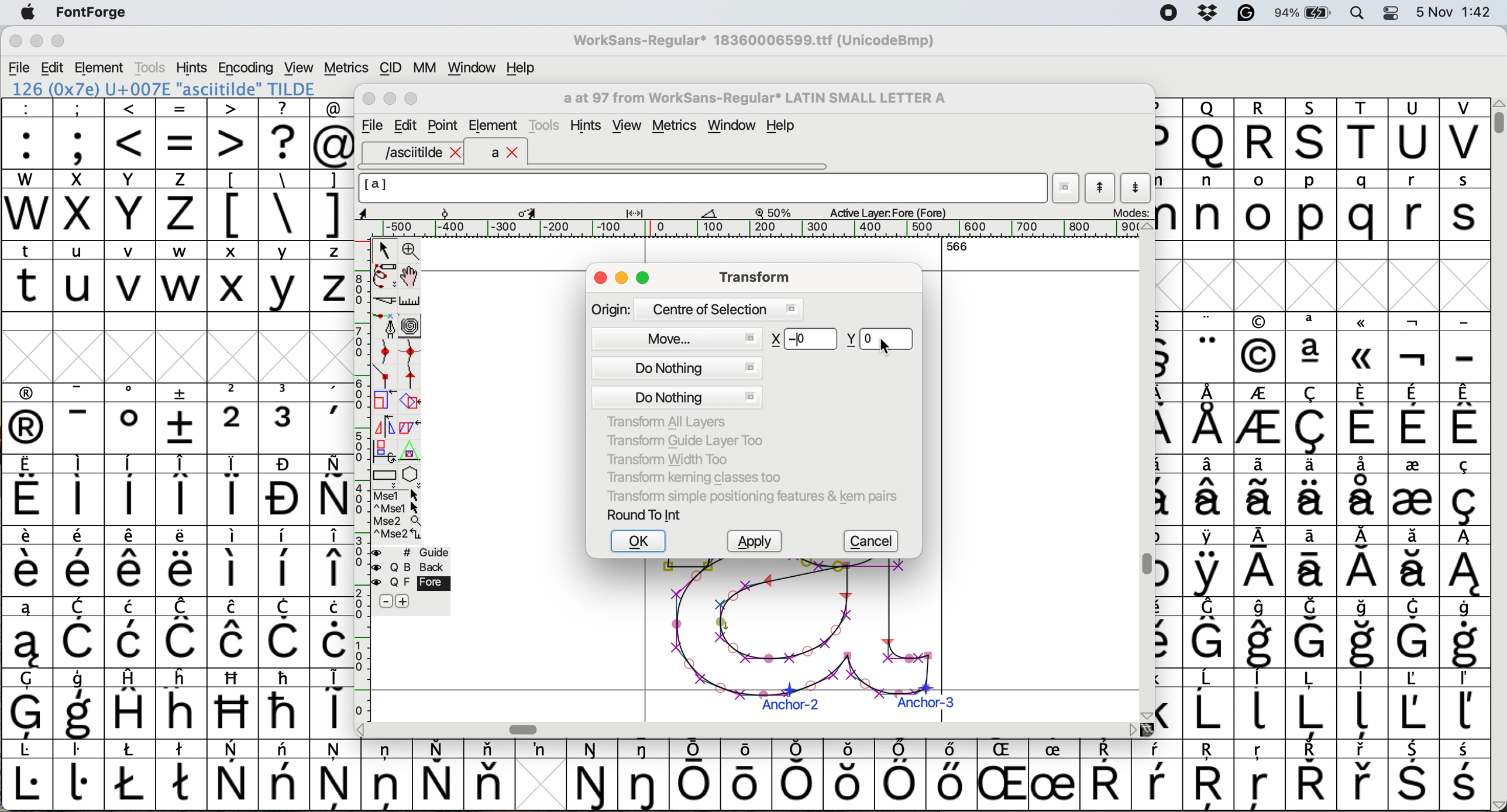  What do you see at coordinates (332, 562) in the screenshot?
I see `symbol` at bounding box center [332, 562].